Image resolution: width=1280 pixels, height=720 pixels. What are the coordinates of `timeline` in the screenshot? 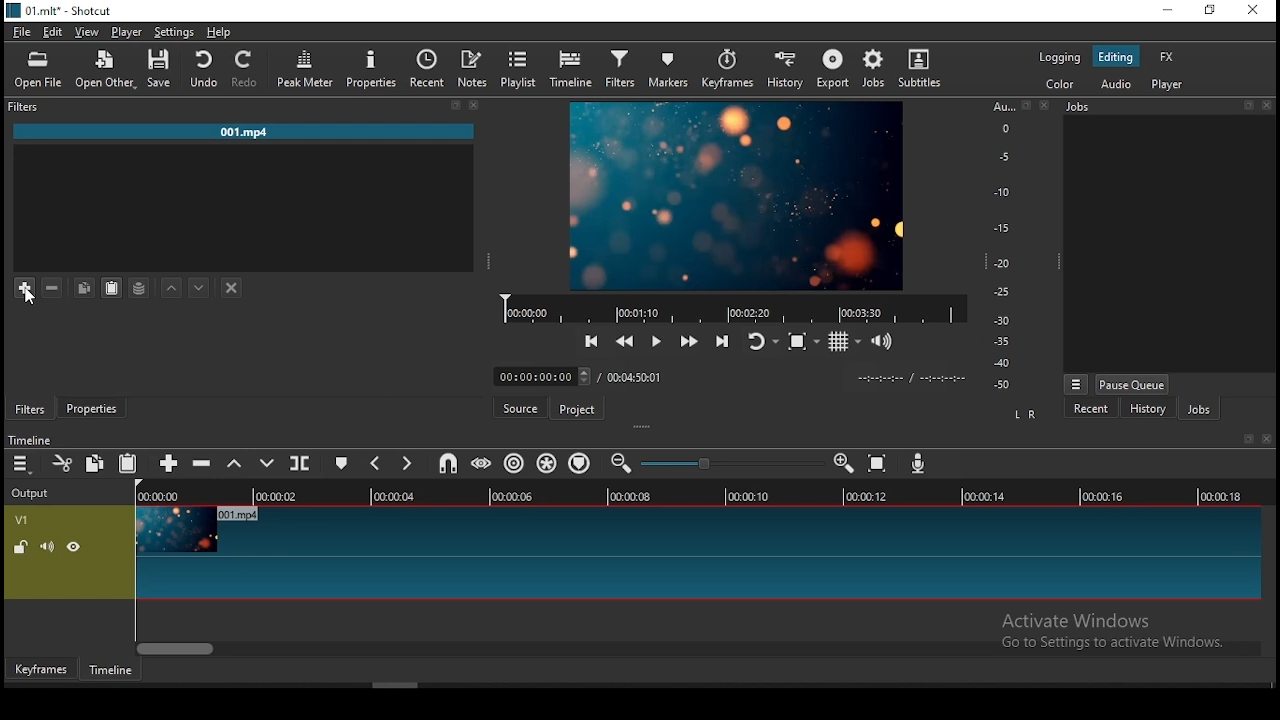 It's located at (697, 494).